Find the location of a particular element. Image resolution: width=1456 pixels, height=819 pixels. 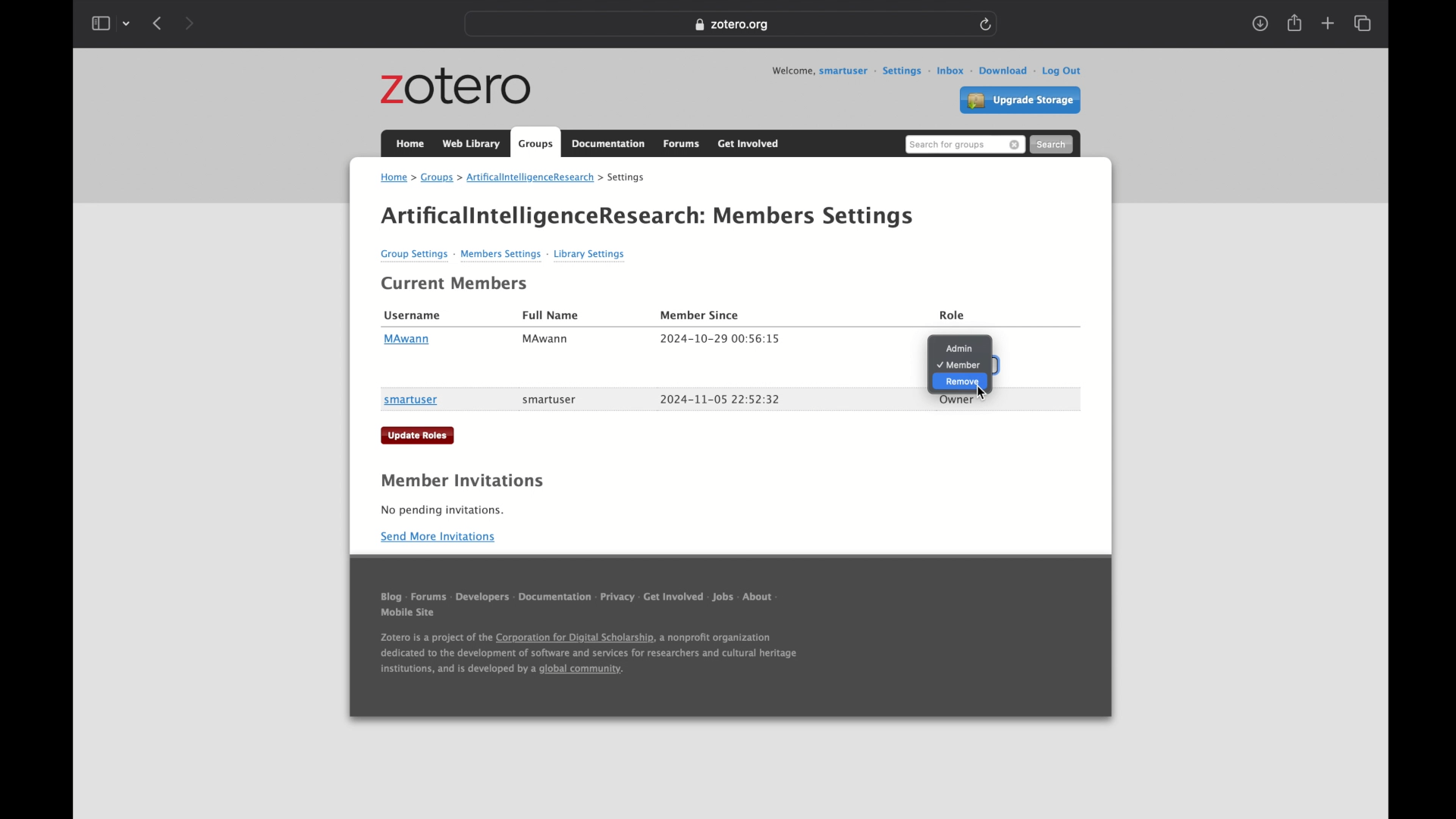

search is located at coordinates (1051, 143).